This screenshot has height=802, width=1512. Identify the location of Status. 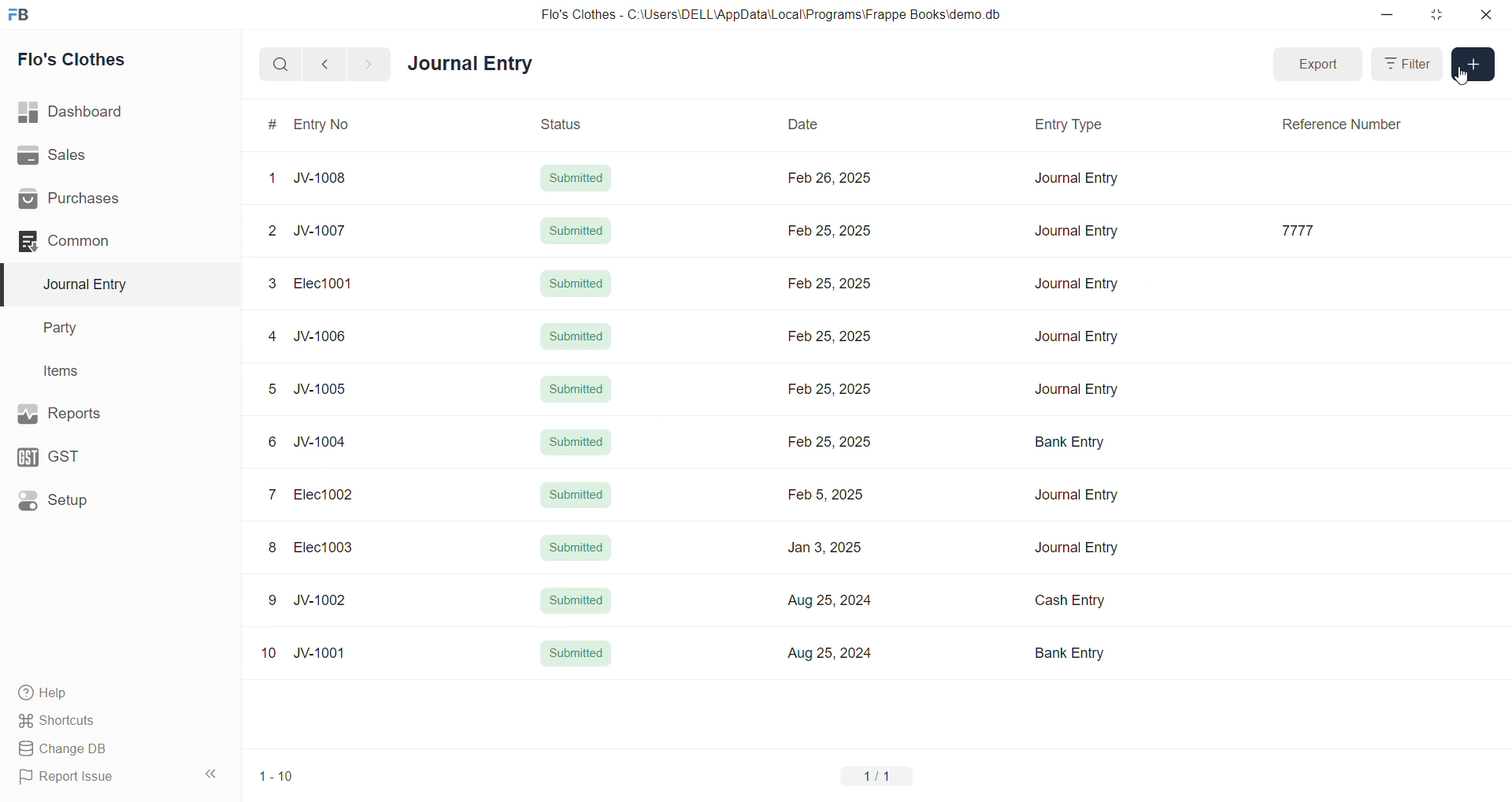
(563, 126).